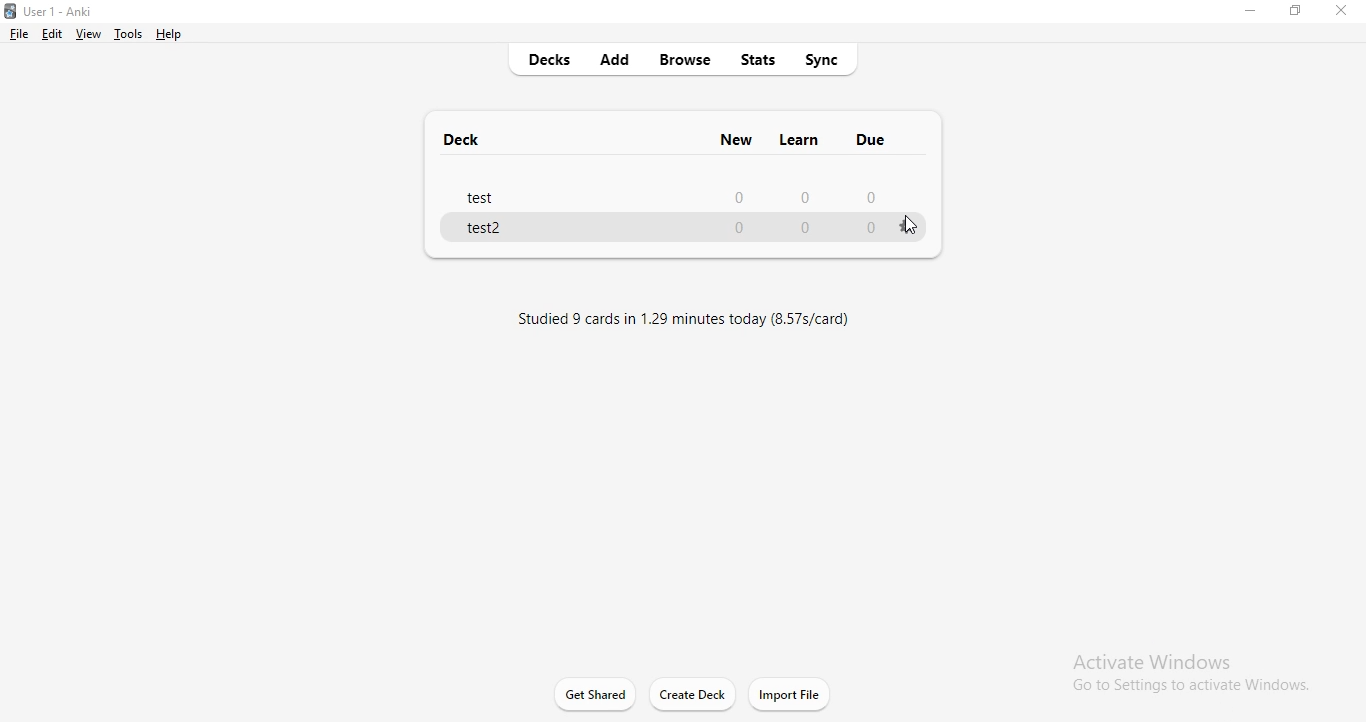  What do you see at coordinates (170, 35) in the screenshot?
I see `help` at bounding box center [170, 35].